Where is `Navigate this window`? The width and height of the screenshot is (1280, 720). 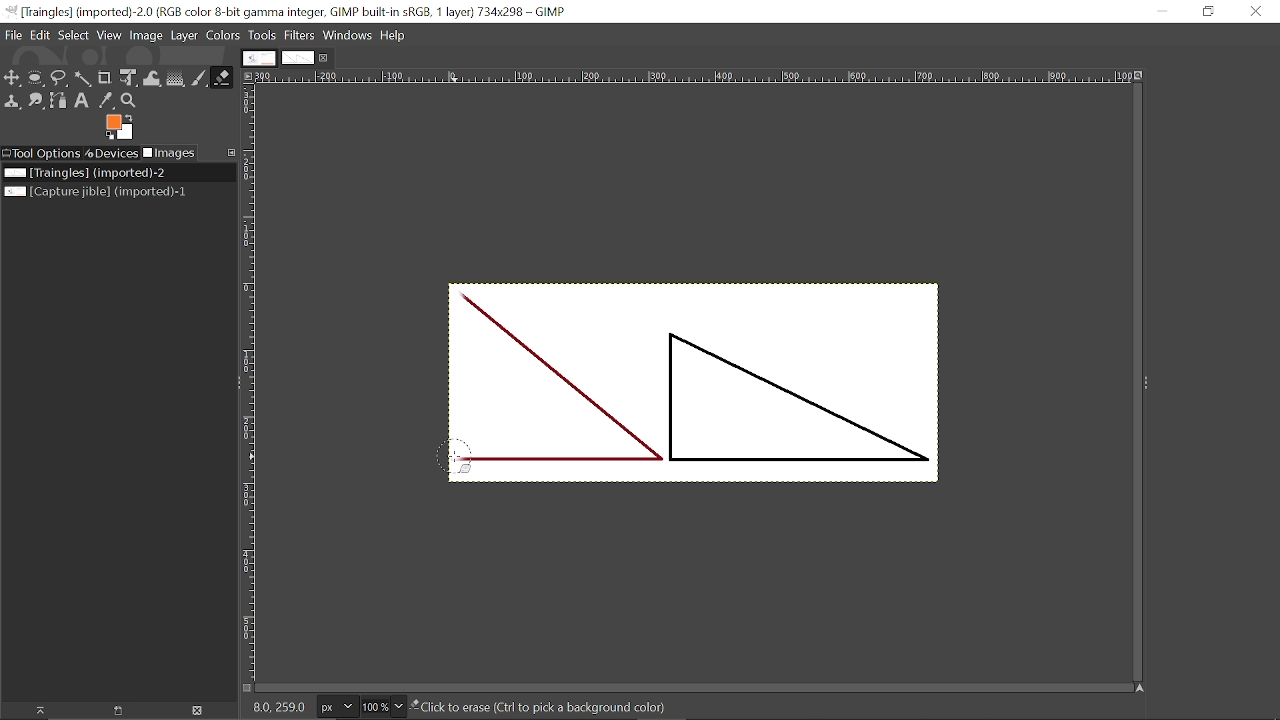 Navigate this window is located at coordinates (1141, 688).